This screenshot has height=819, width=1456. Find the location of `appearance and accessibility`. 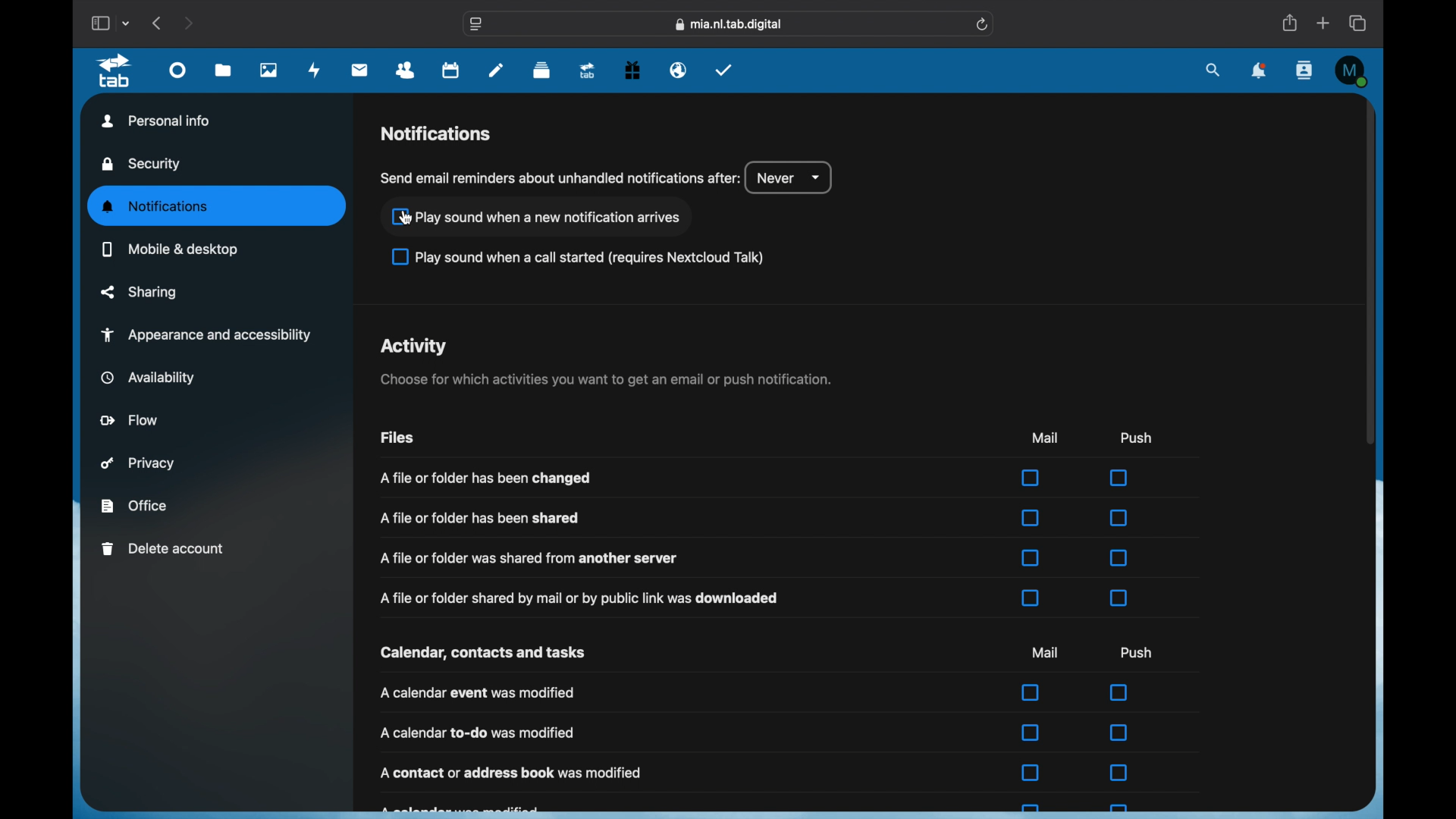

appearance and accessibility is located at coordinates (206, 335).